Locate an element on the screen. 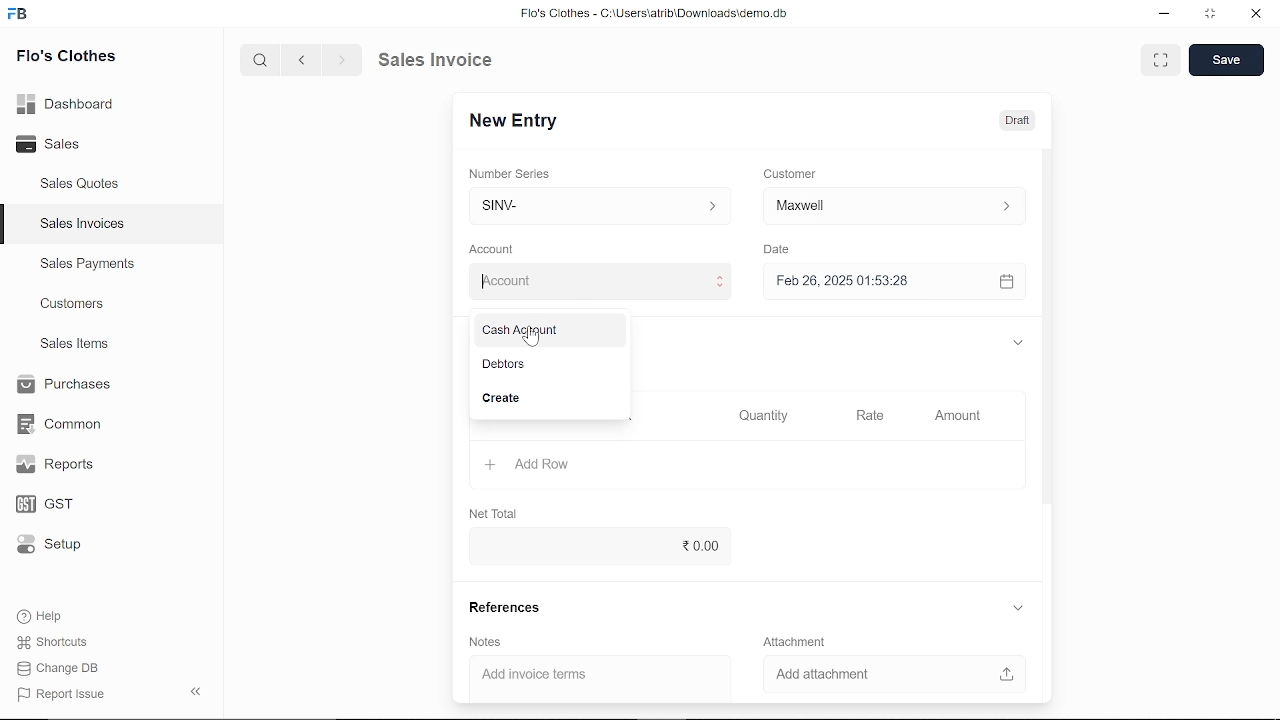  next is located at coordinates (342, 60).